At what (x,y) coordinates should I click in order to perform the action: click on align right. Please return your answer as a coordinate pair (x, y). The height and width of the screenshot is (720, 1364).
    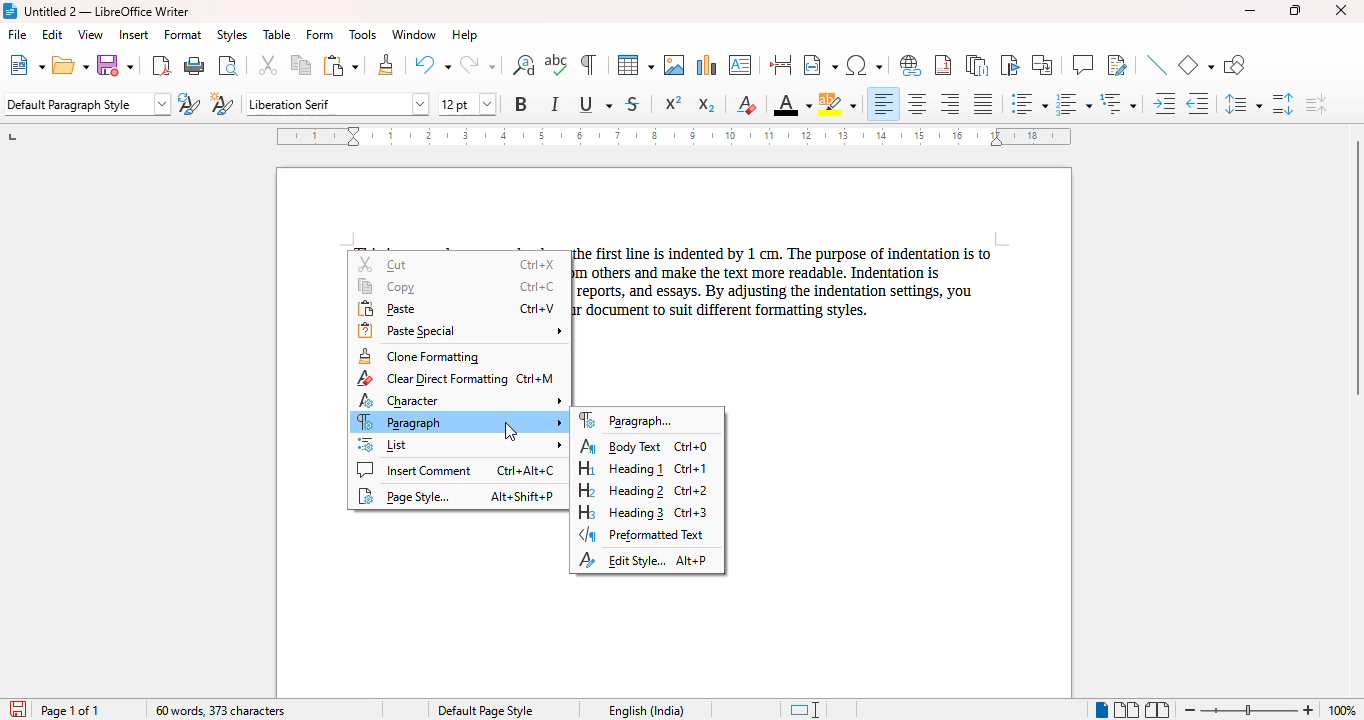
    Looking at the image, I should click on (949, 103).